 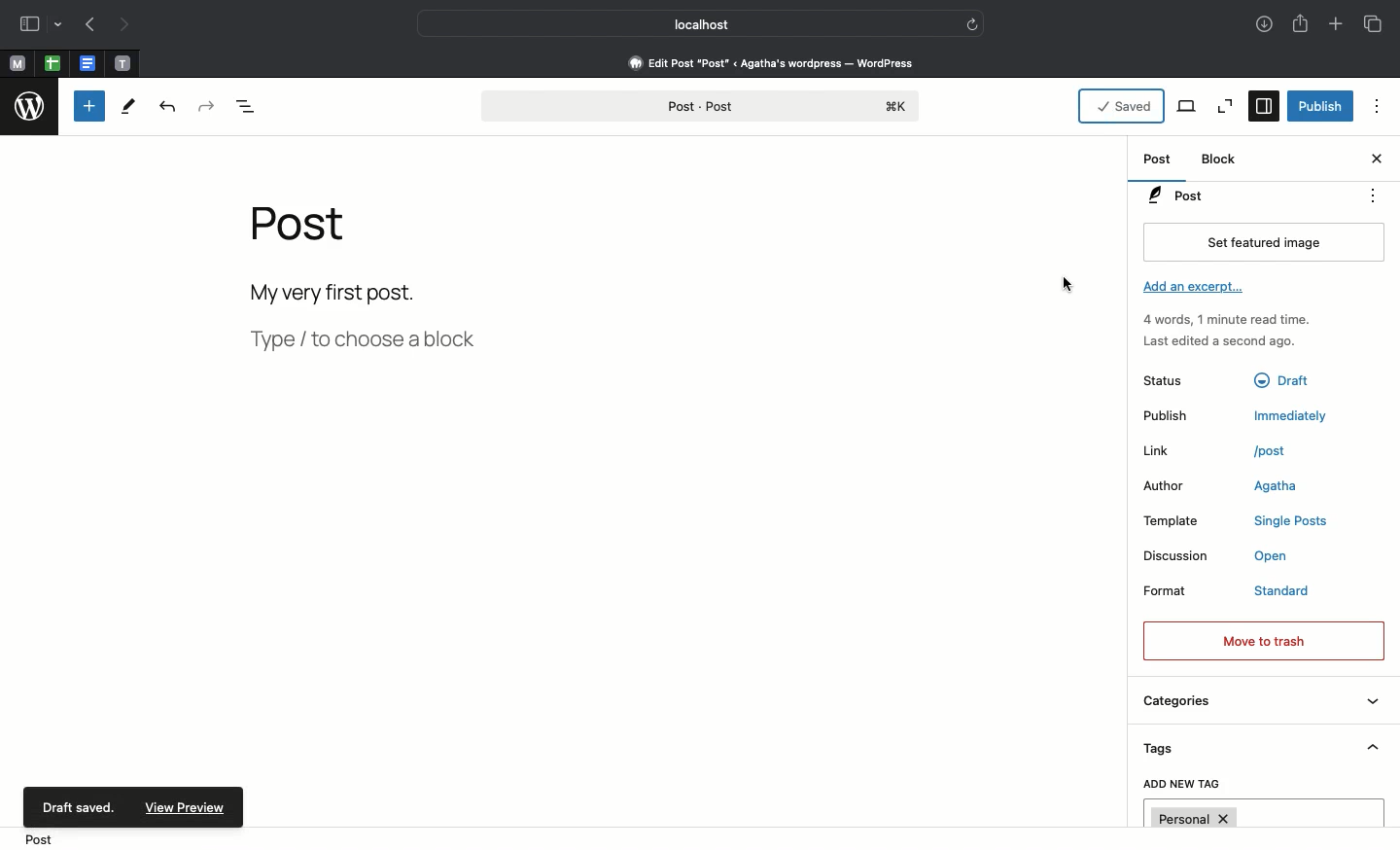 I want to click on Settings, so click(x=1262, y=106).